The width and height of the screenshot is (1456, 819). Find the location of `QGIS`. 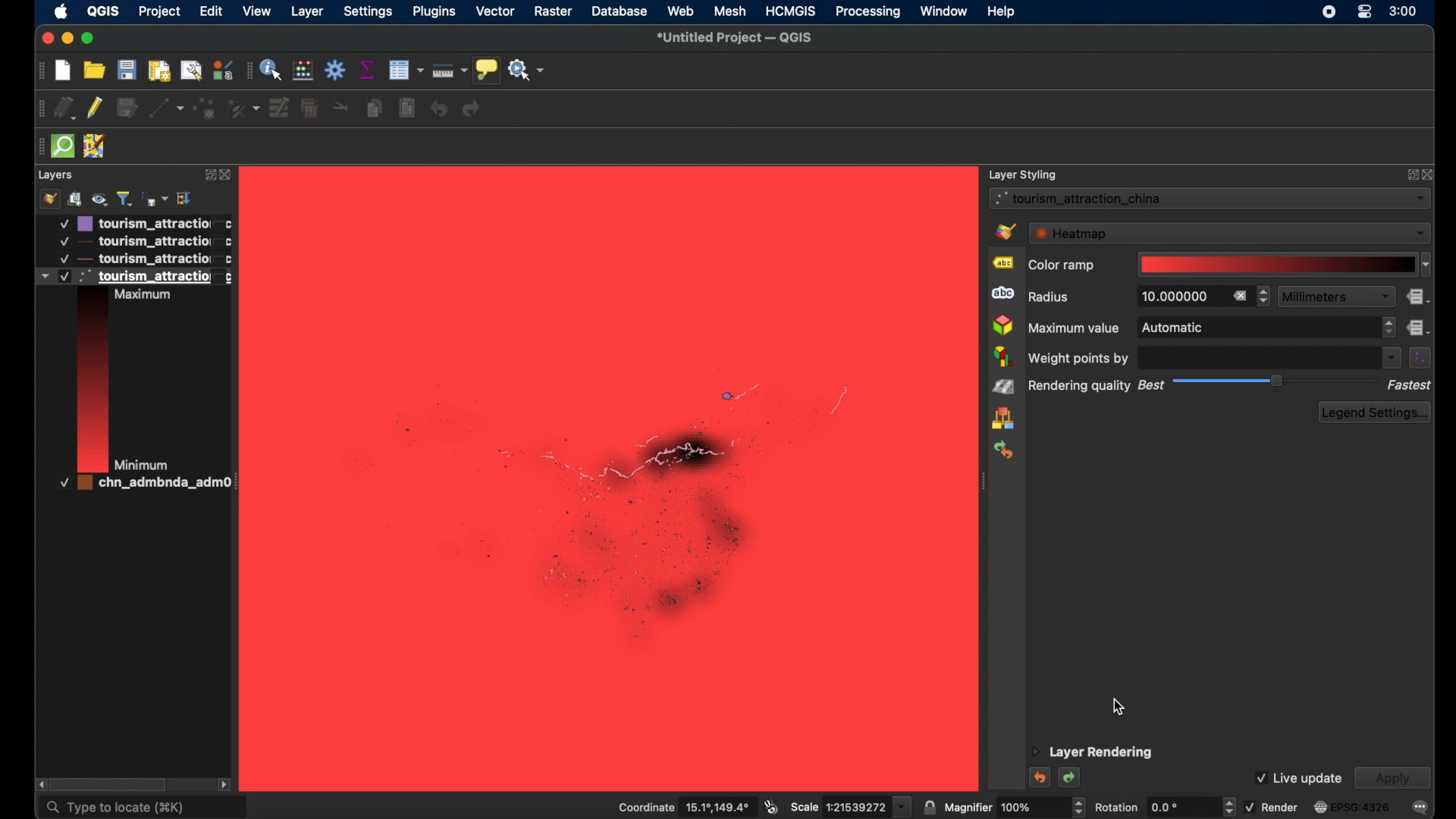

QGIS is located at coordinates (102, 11).